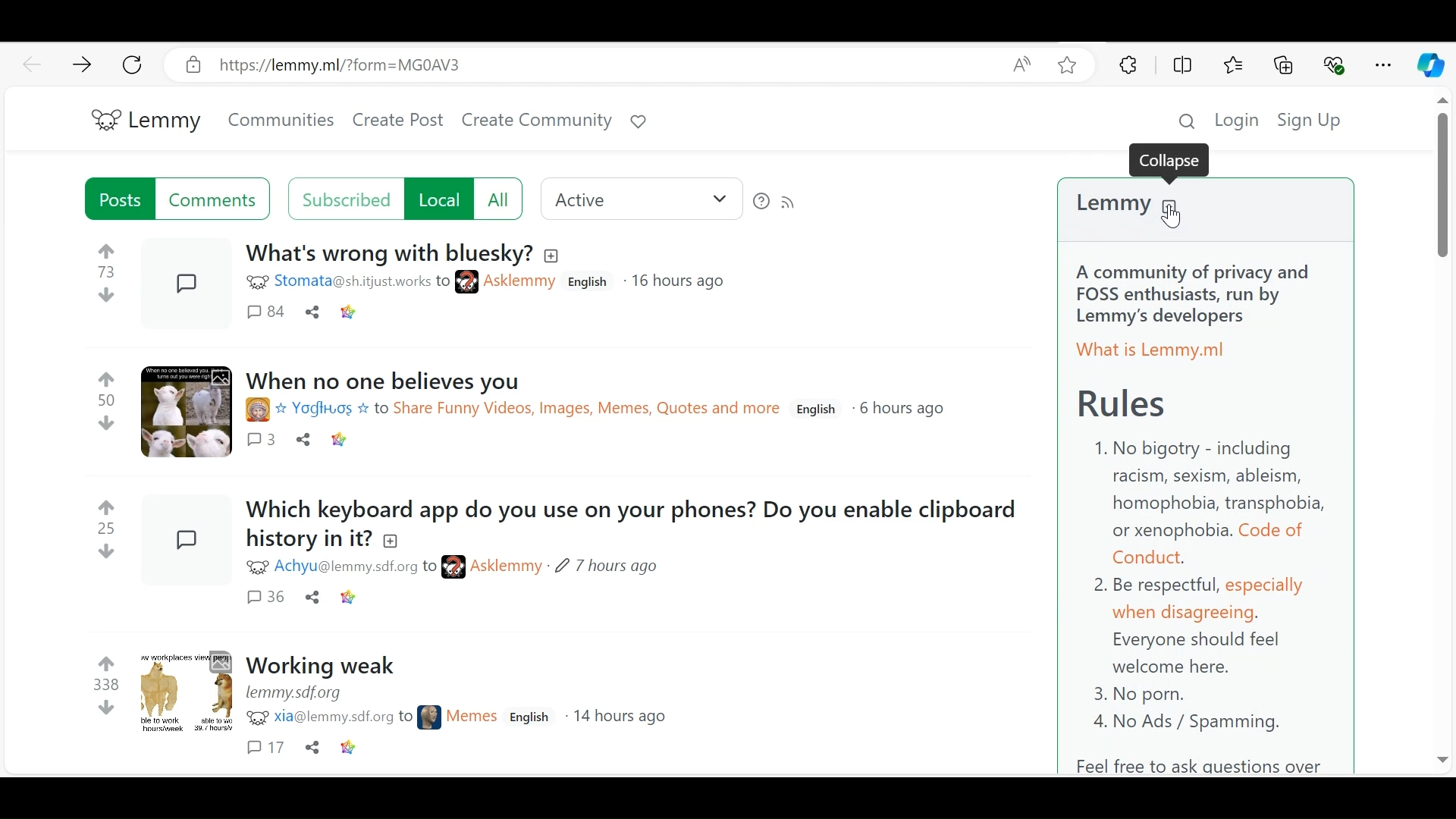 The height and width of the screenshot is (819, 1456). Describe the element at coordinates (1335, 64) in the screenshot. I see `Browser essentials` at that location.